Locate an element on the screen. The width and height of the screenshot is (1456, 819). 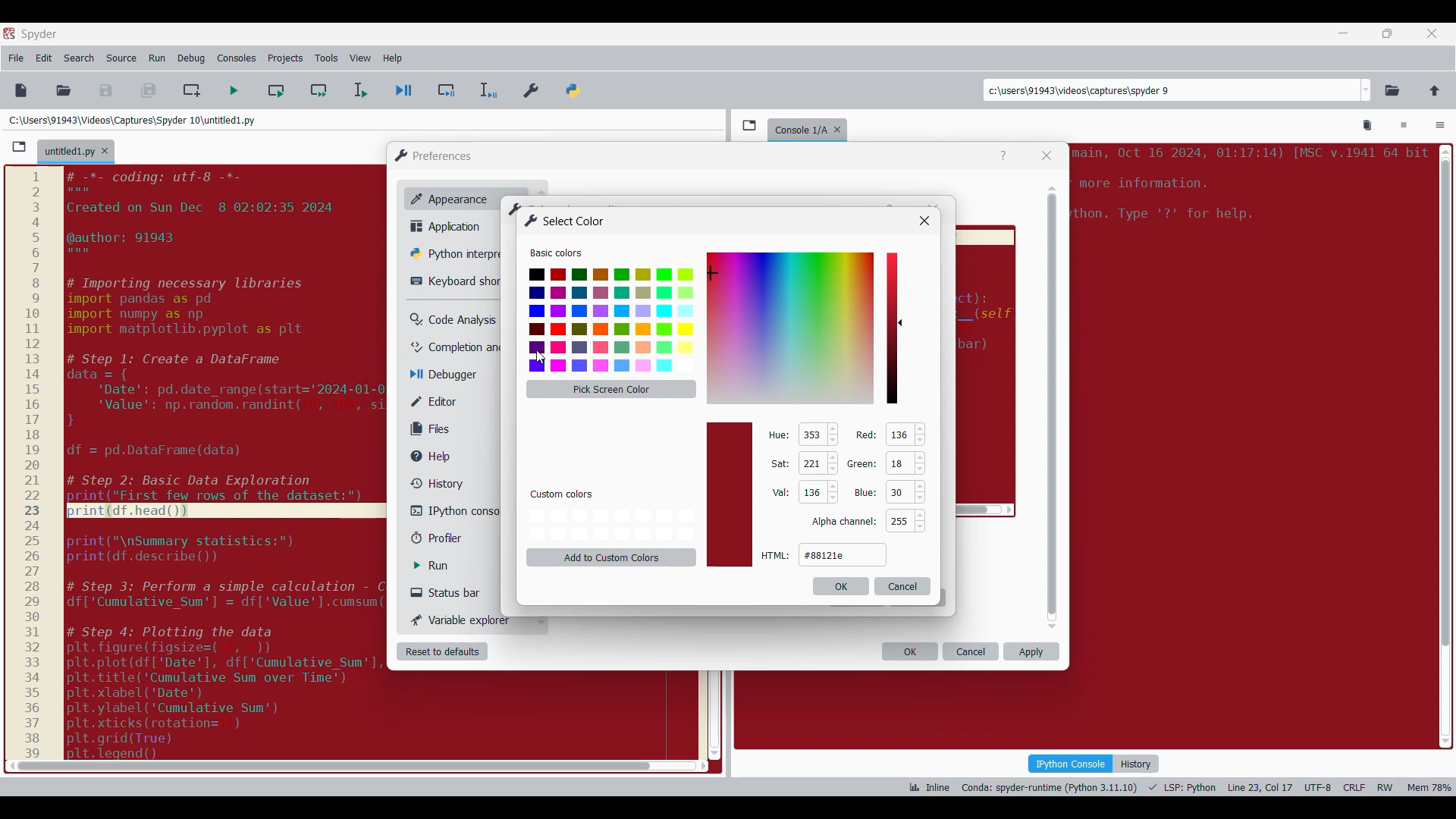
Pick screen color is located at coordinates (611, 389).